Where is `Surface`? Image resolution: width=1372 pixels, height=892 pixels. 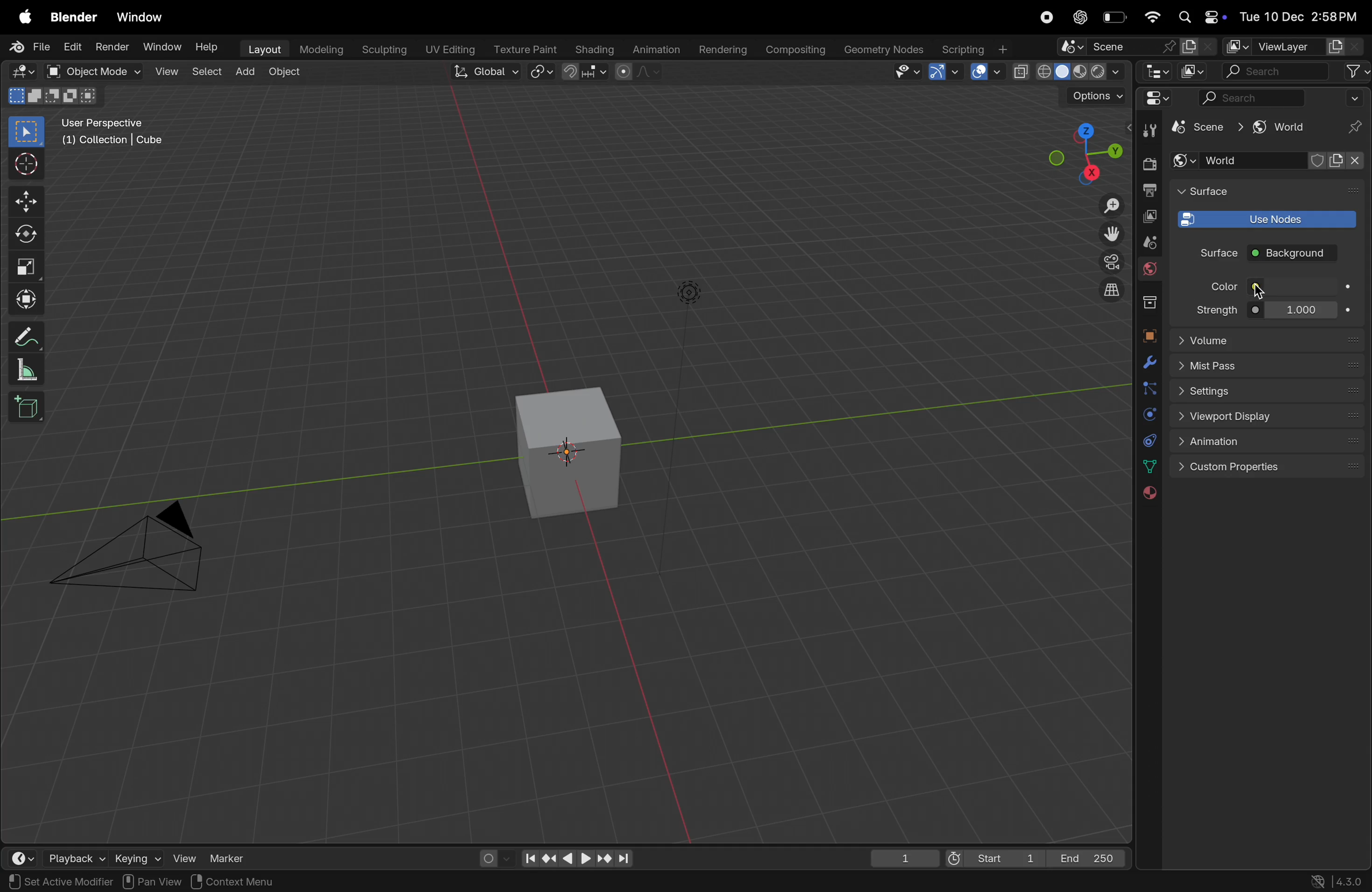 Surface is located at coordinates (1220, 191).